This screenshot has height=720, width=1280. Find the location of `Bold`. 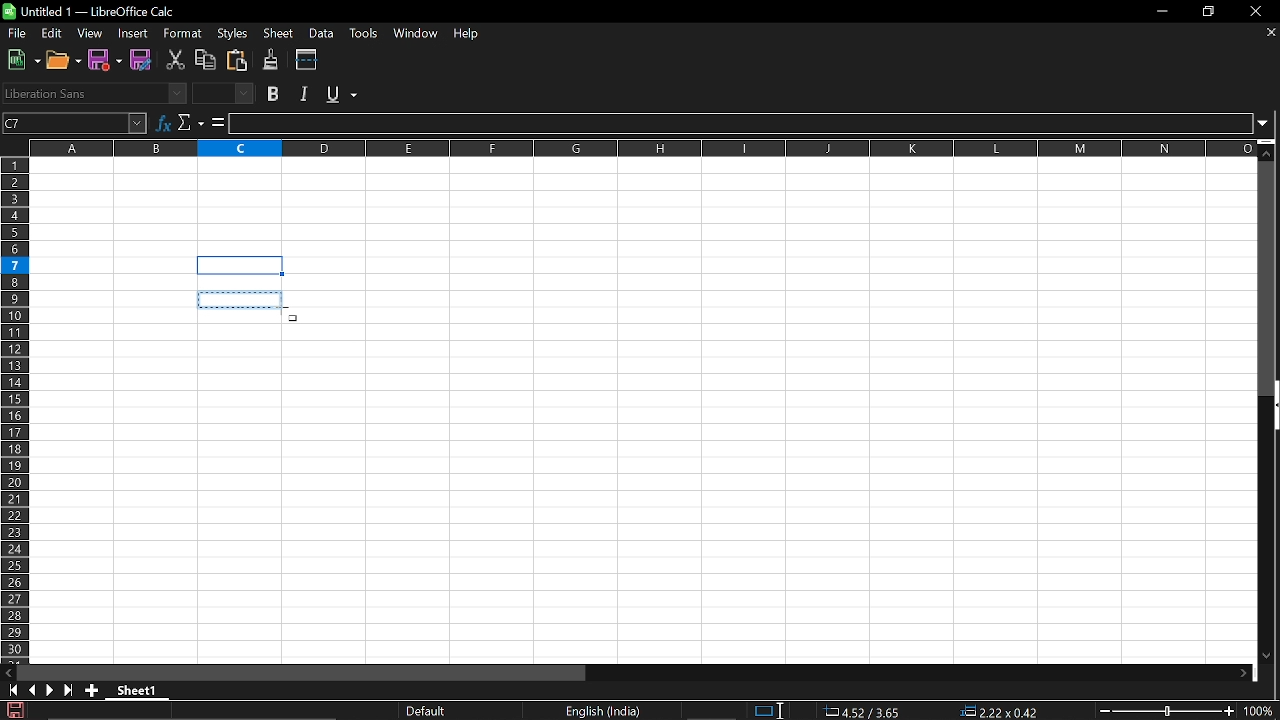

Bold is located at coordinates (274, 94).